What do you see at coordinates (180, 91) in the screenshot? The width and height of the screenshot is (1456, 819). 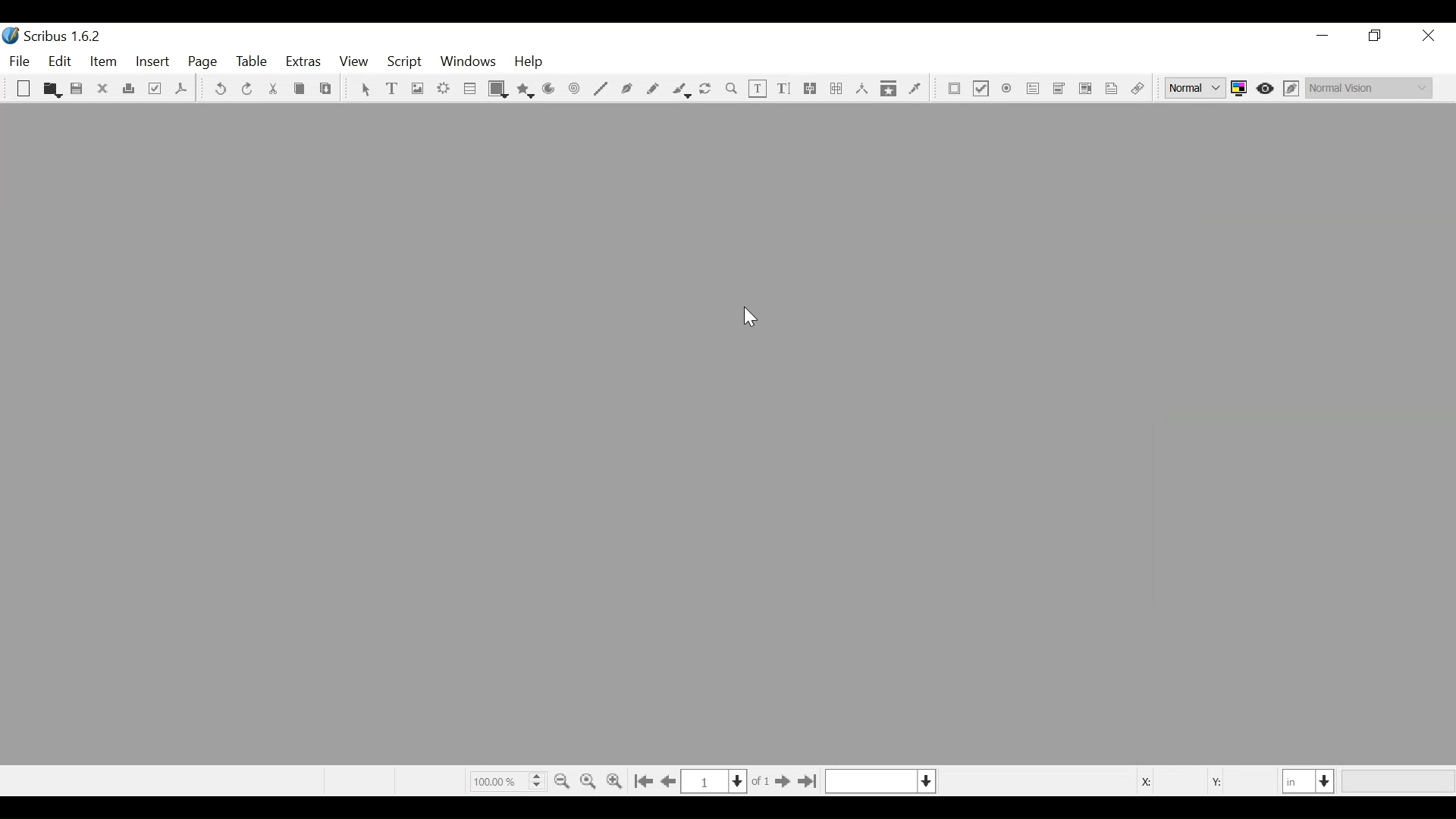 I see `Save as PDF` at bounding box center [180, 91].